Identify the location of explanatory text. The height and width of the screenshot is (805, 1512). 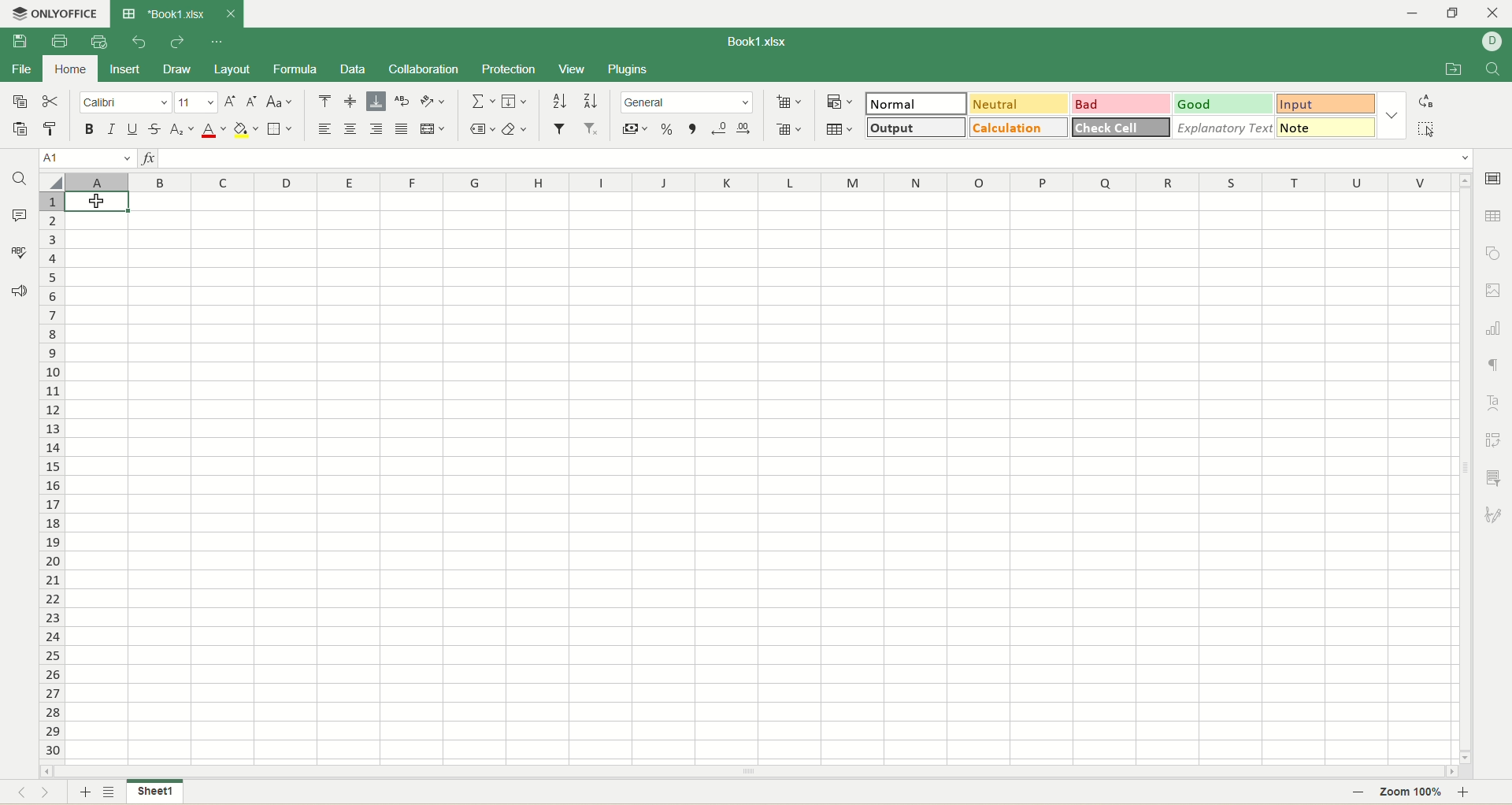
(1222, 128).